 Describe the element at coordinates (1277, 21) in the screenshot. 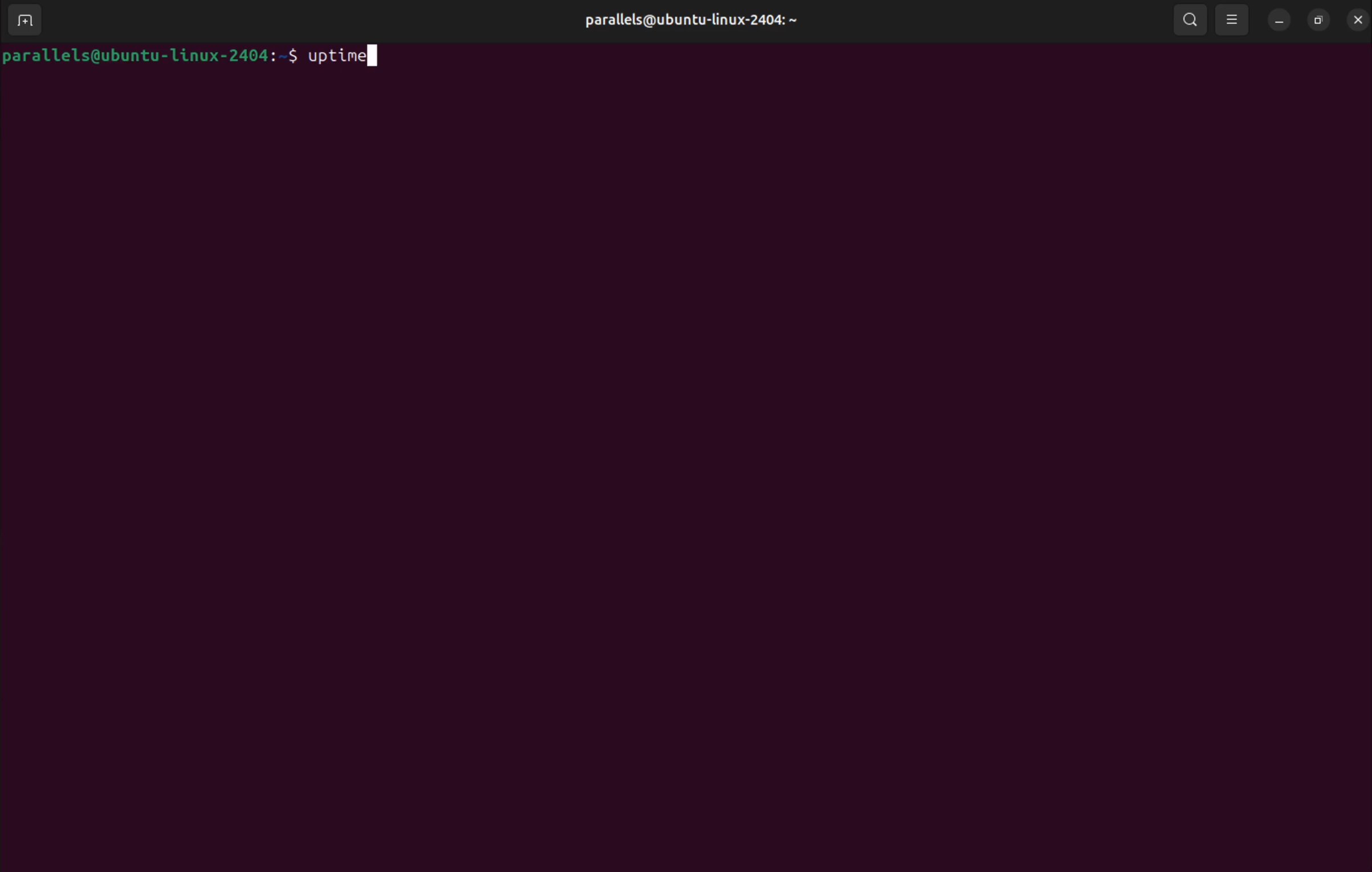

I see `minimize` at that location.